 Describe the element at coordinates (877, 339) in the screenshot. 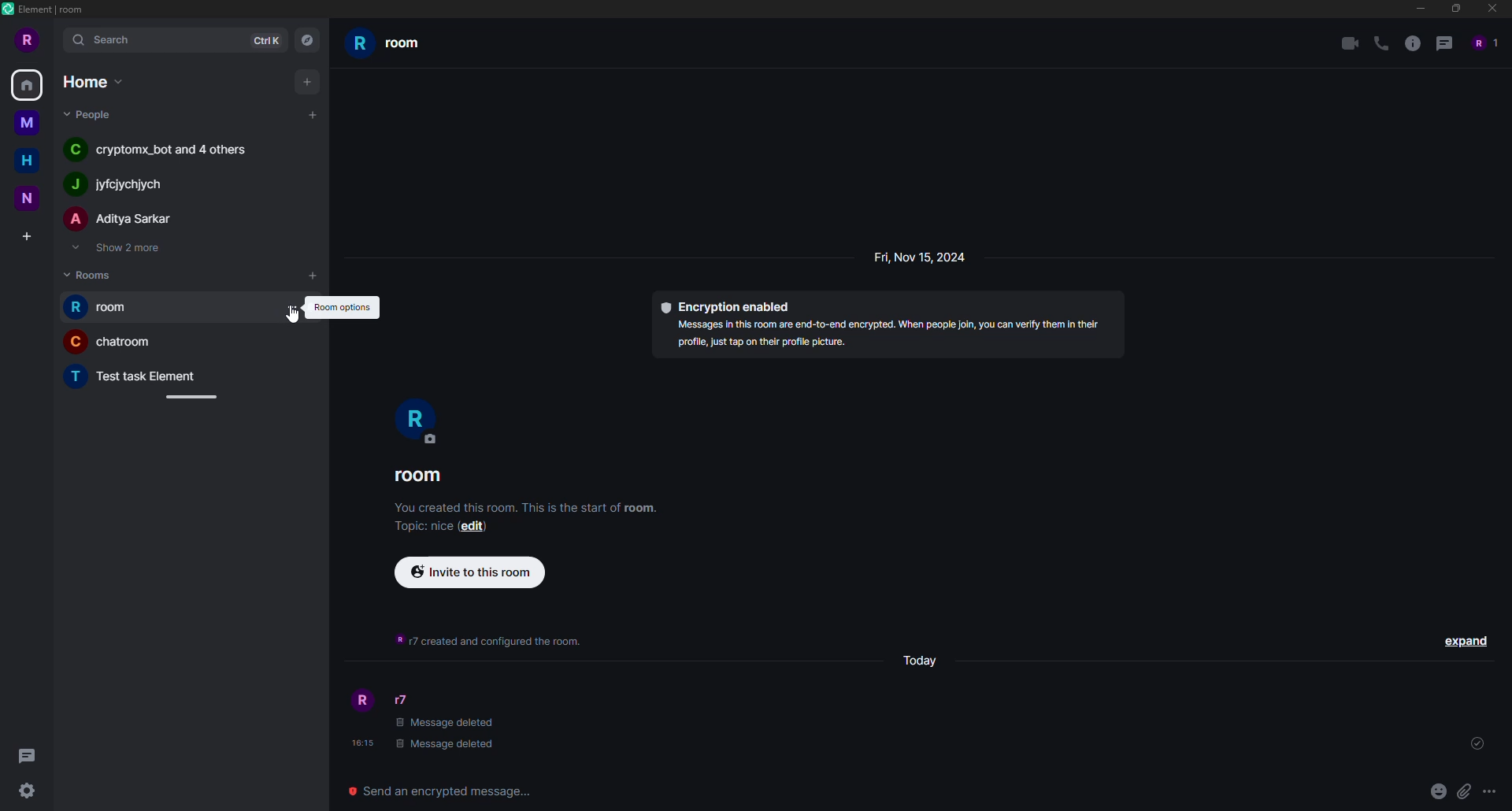

I see `OT Bl DPE ERE Pt NE SE IES [SPUR Sy
profile, just tap on their profile picture.` at that location.